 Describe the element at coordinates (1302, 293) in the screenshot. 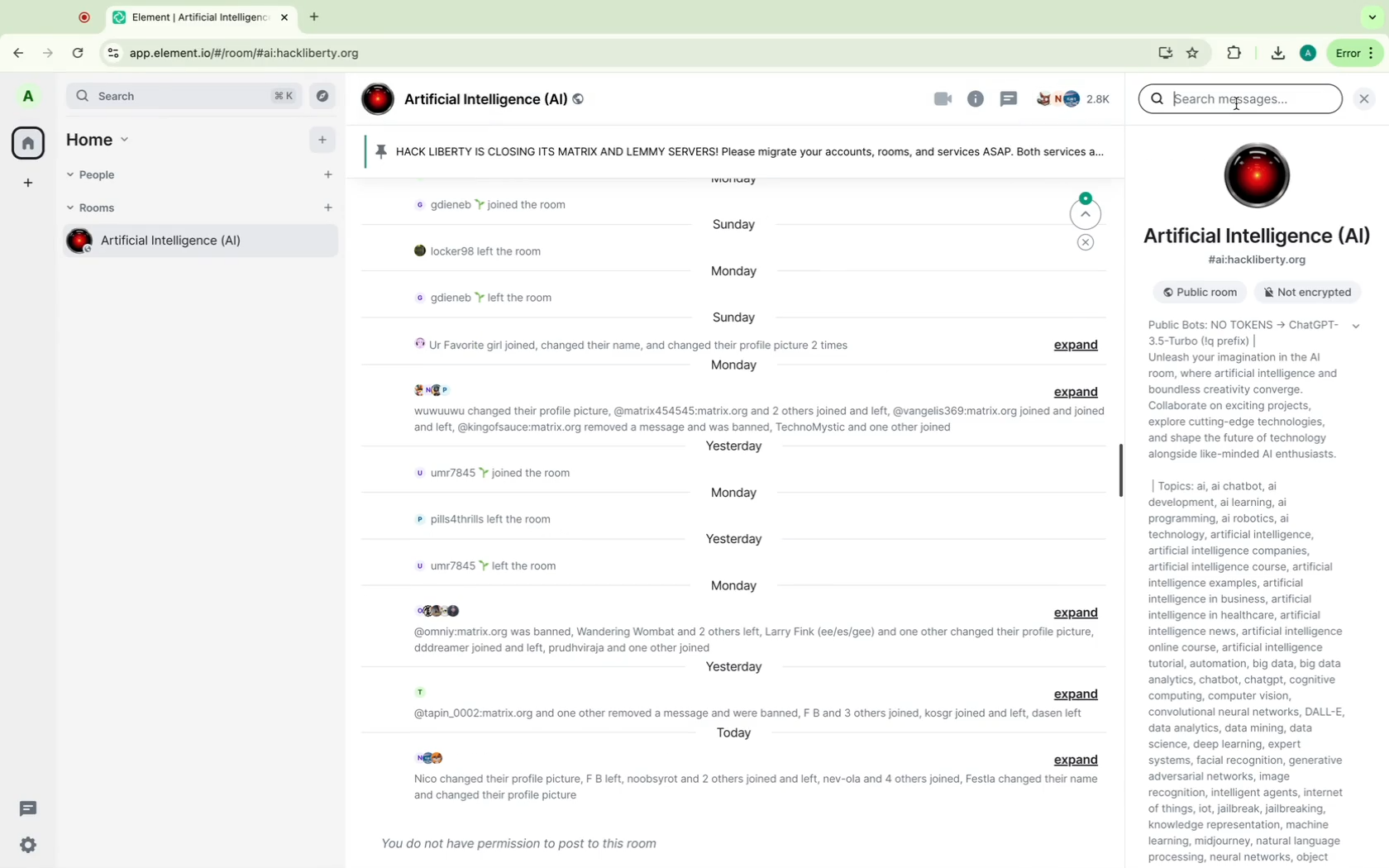

I see `not encrypted` at that location.